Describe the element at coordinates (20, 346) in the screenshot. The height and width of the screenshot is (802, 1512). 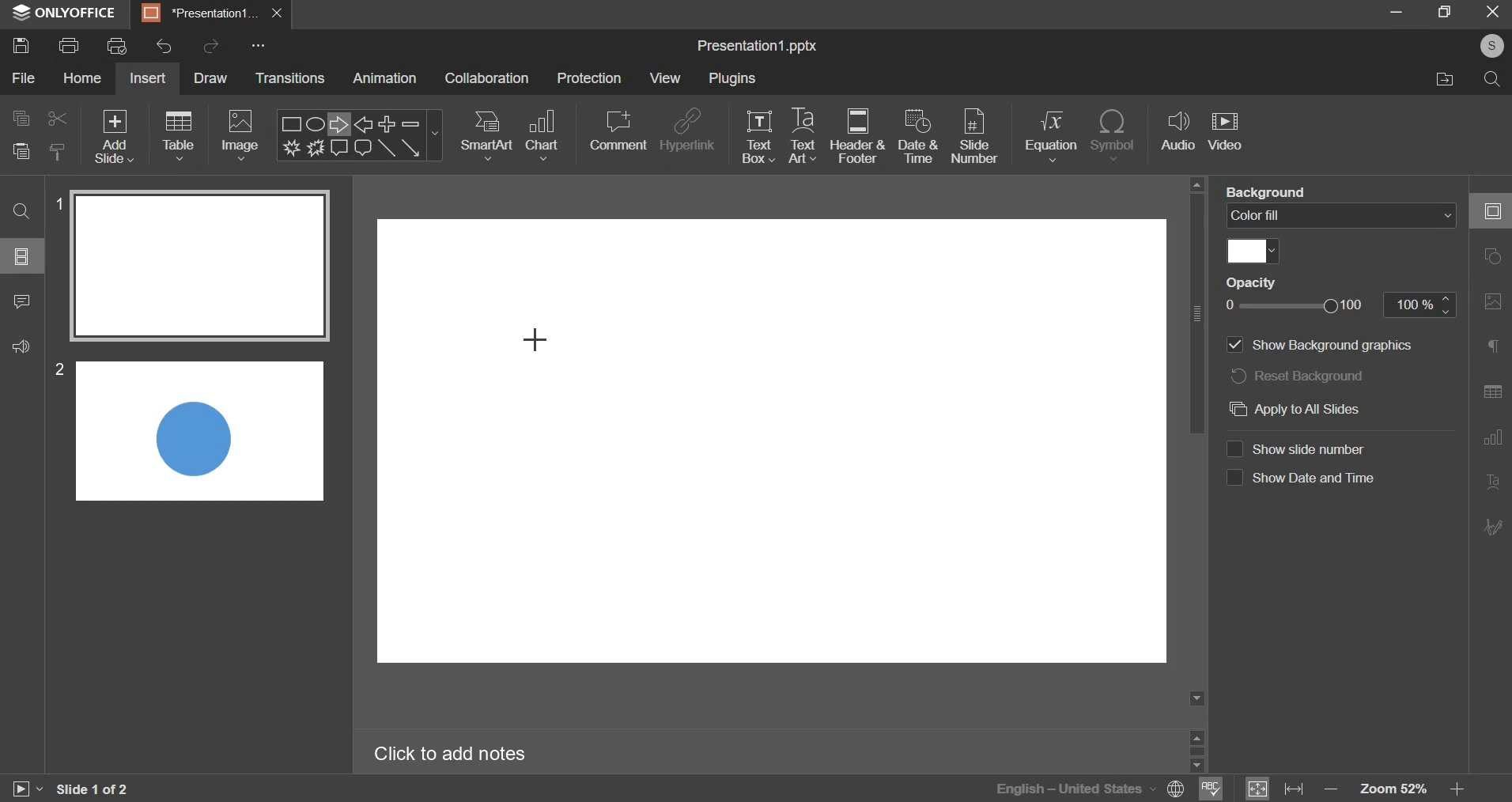
I see `feedback` at that location.